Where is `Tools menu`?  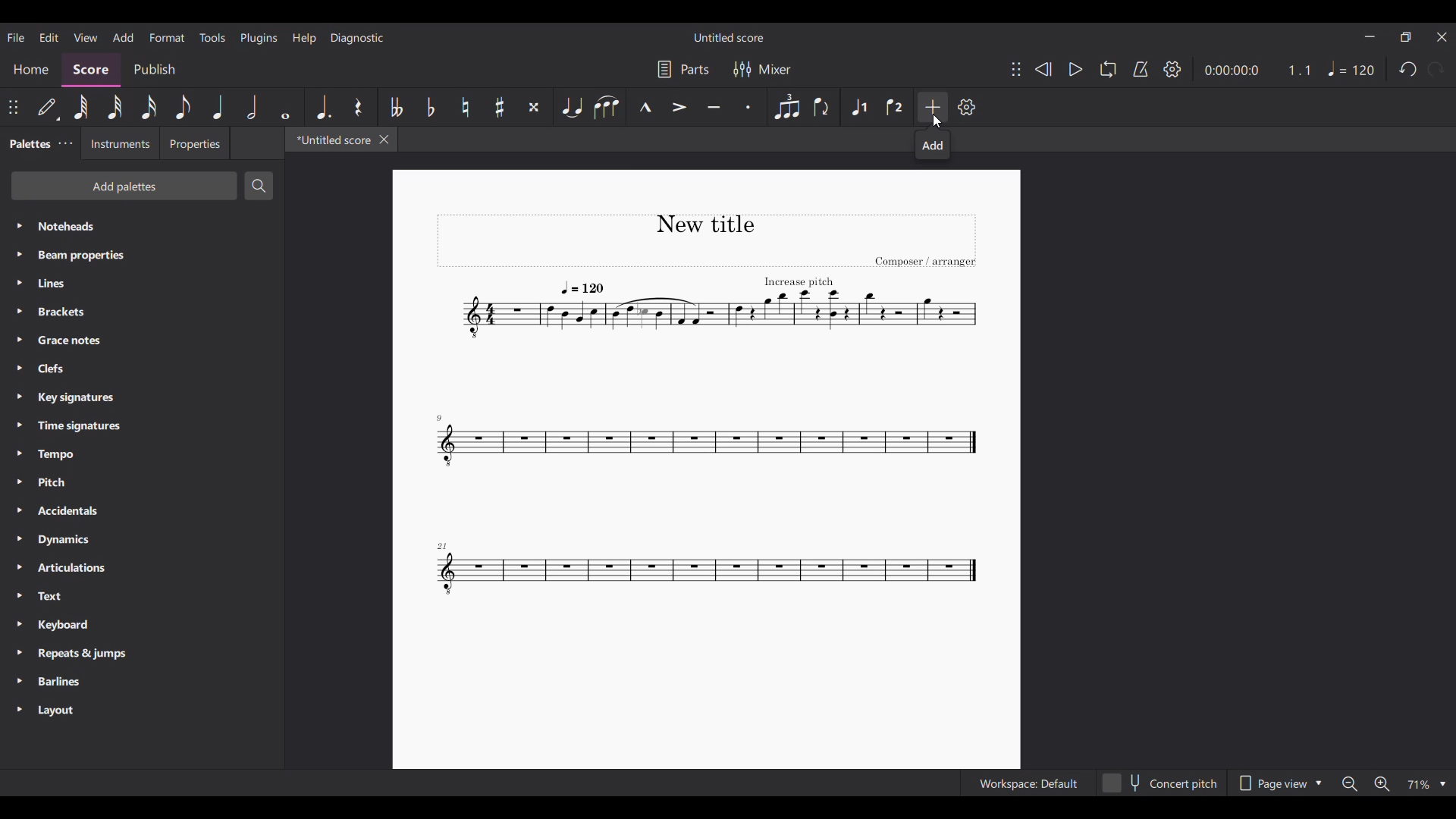 Tools menu is located at coordinates (212, 37).